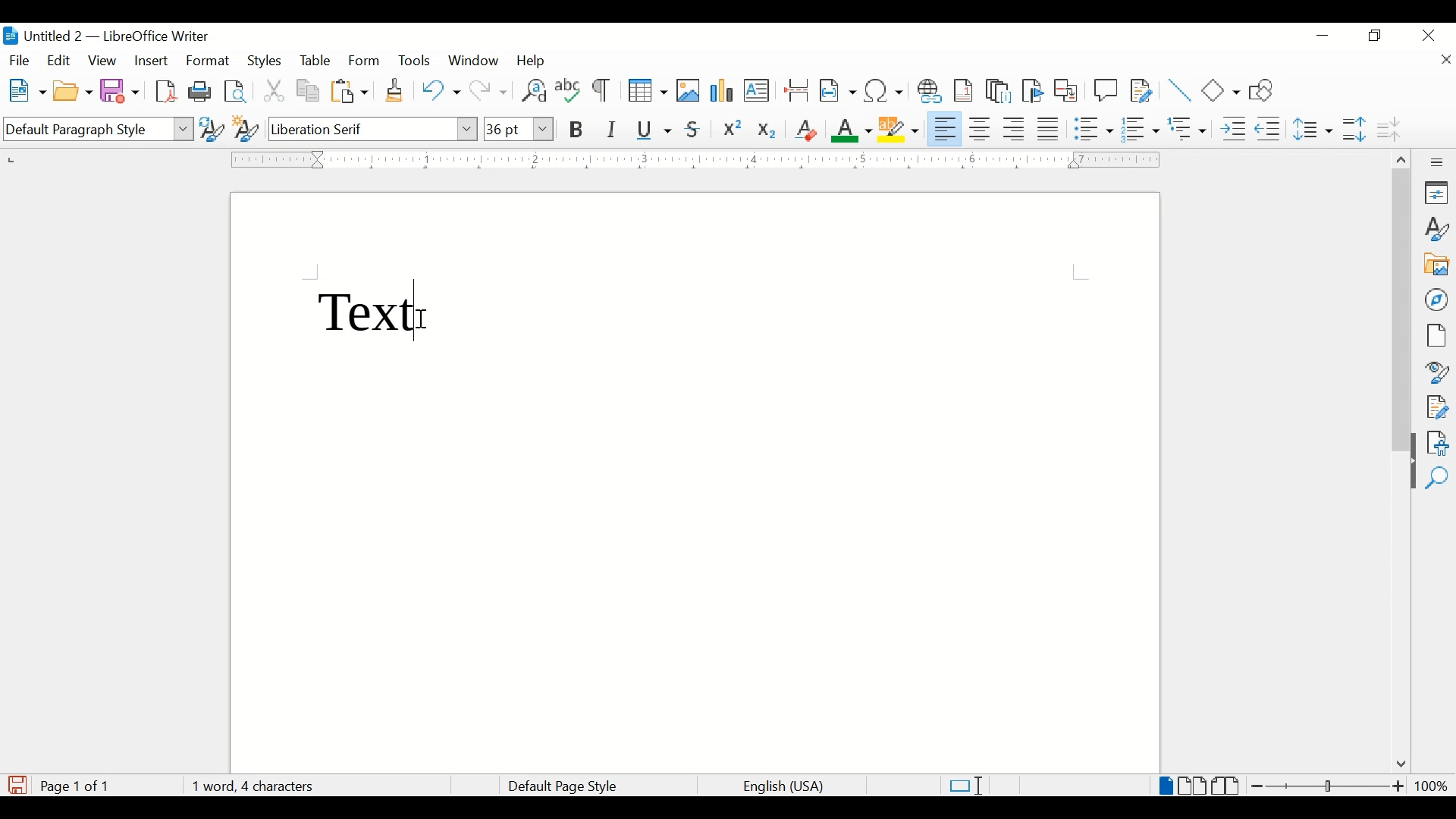 The width and height of the screenshot is (1456, 819). Describe the element at coordinates (1438, 443) in the screenshot. I see `accessibility check` at that location.